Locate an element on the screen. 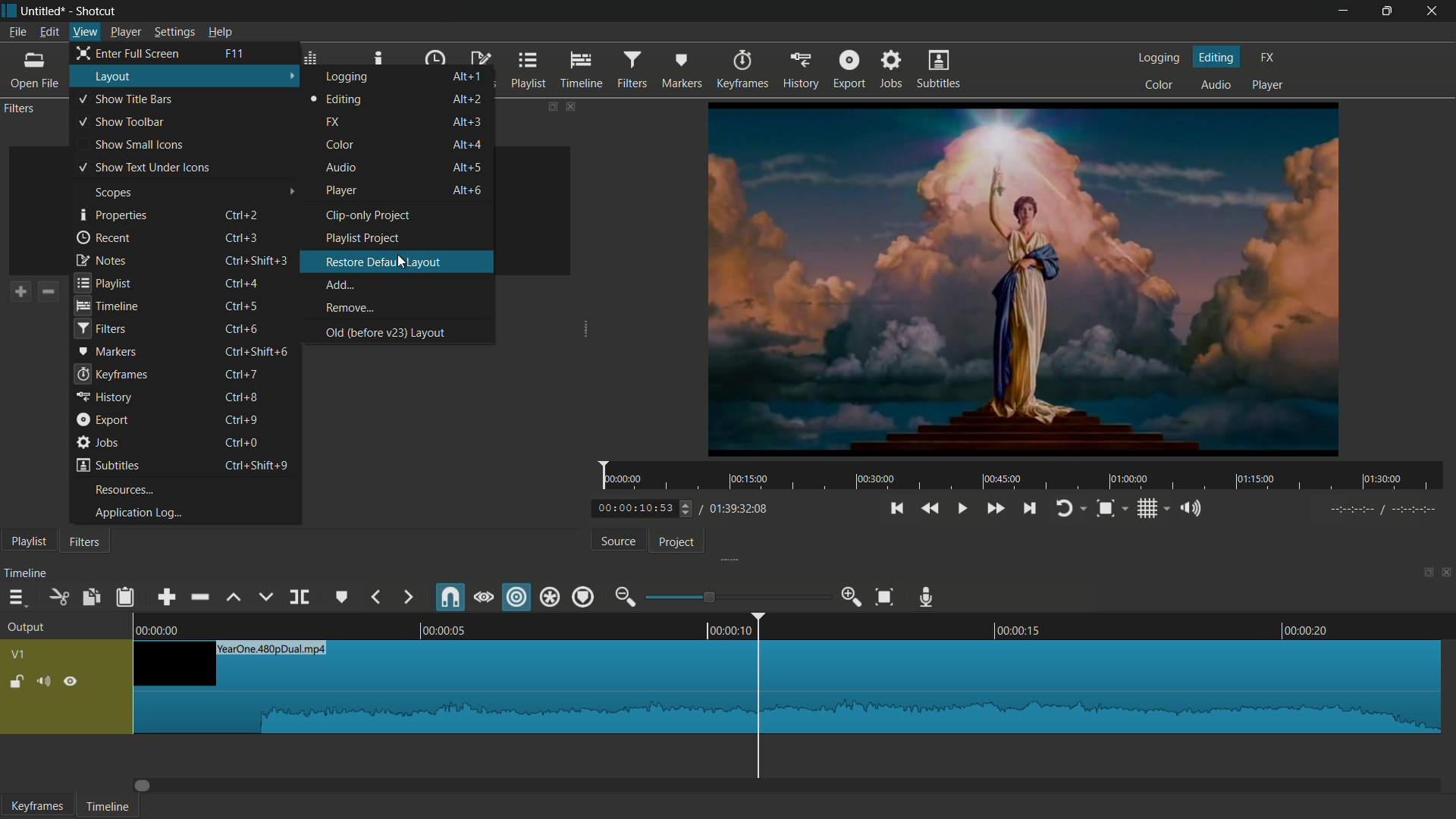  view menu is located at coordinates (86, 32).